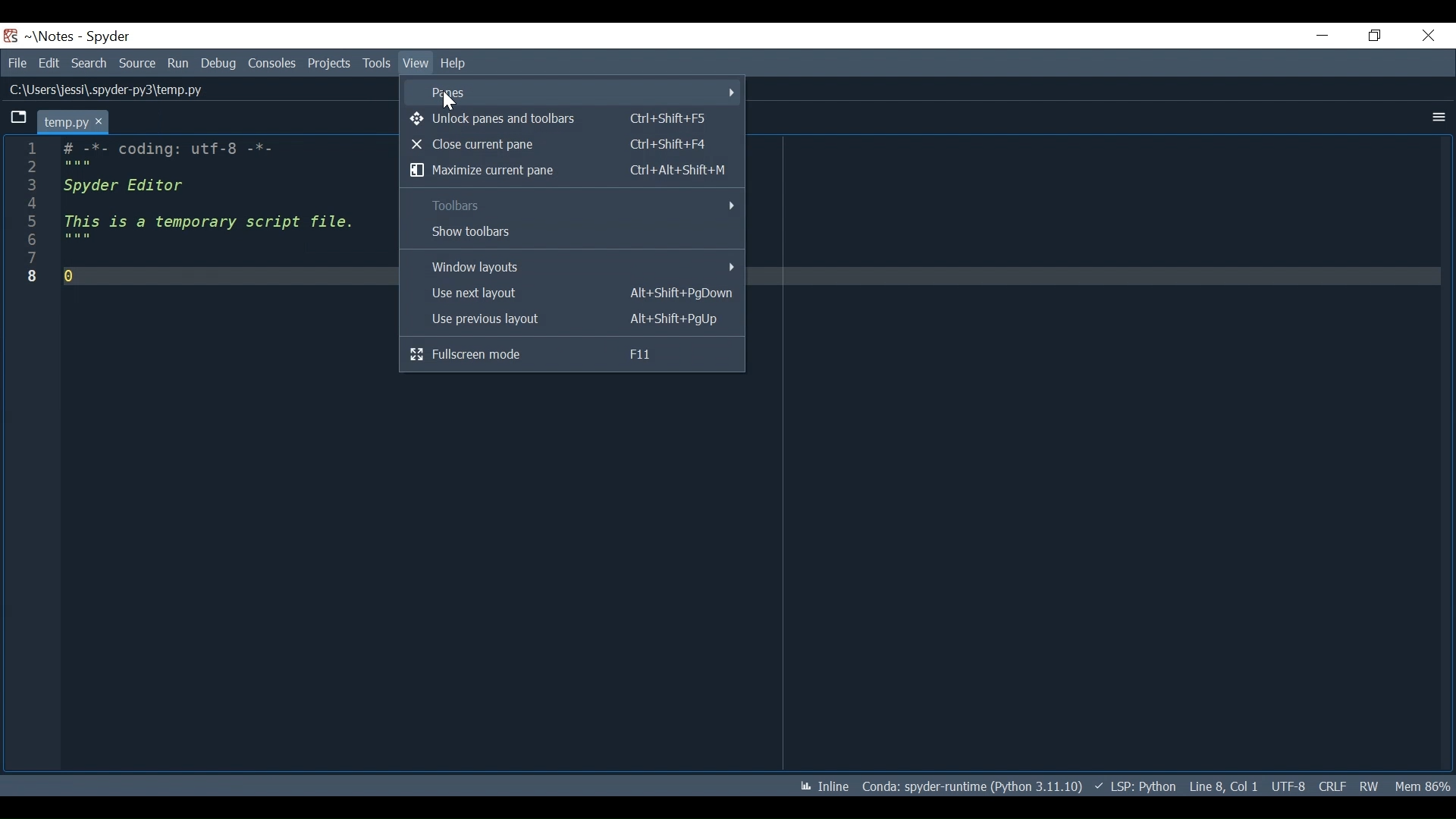 This screenshot has height=819, width=1456. Describe the element at coordinates (72, 121) in the screenshot. I see `temp.py` at that location.